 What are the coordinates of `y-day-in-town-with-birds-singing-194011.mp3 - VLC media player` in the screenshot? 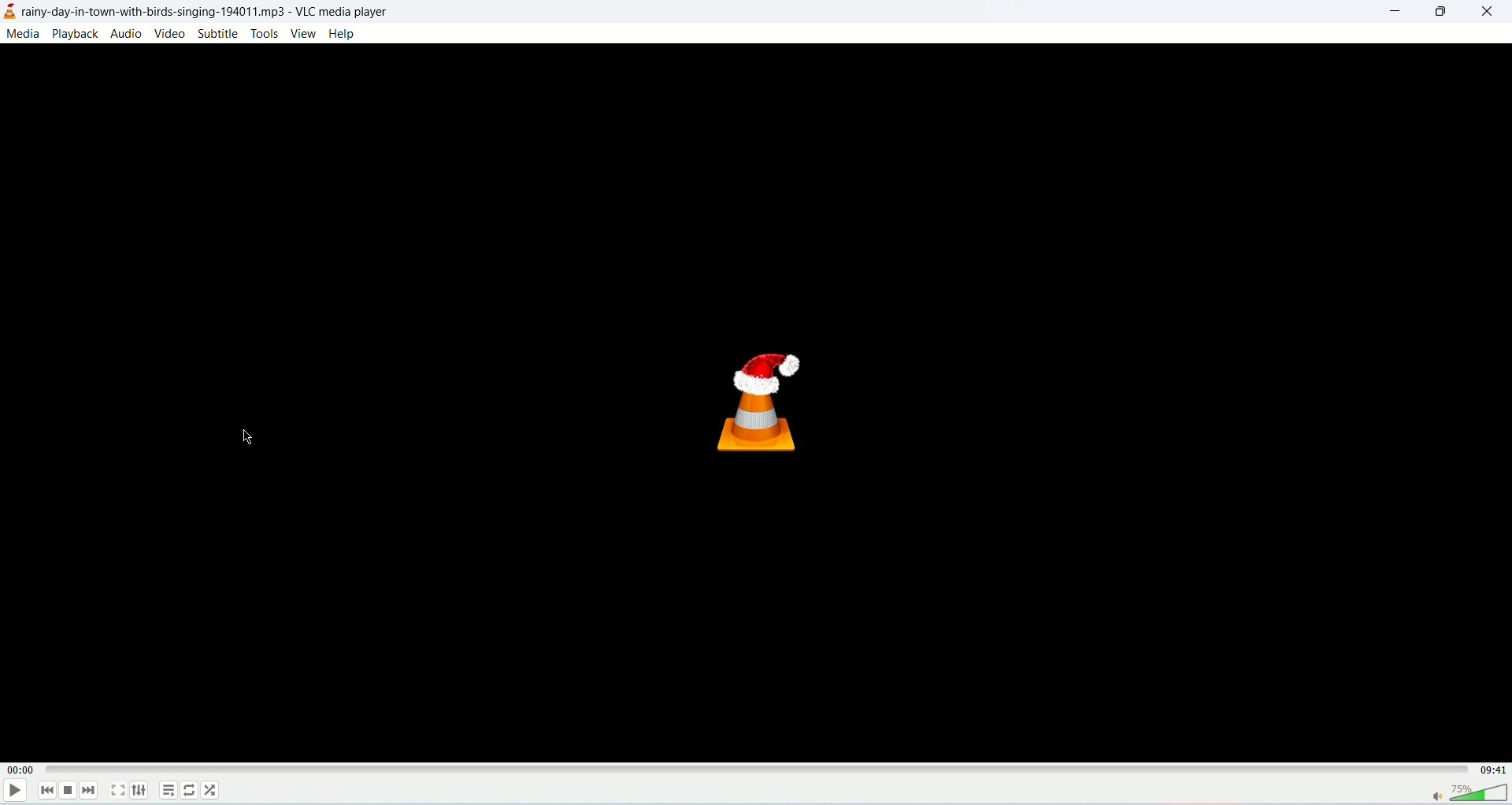 It's located at (222, 10).